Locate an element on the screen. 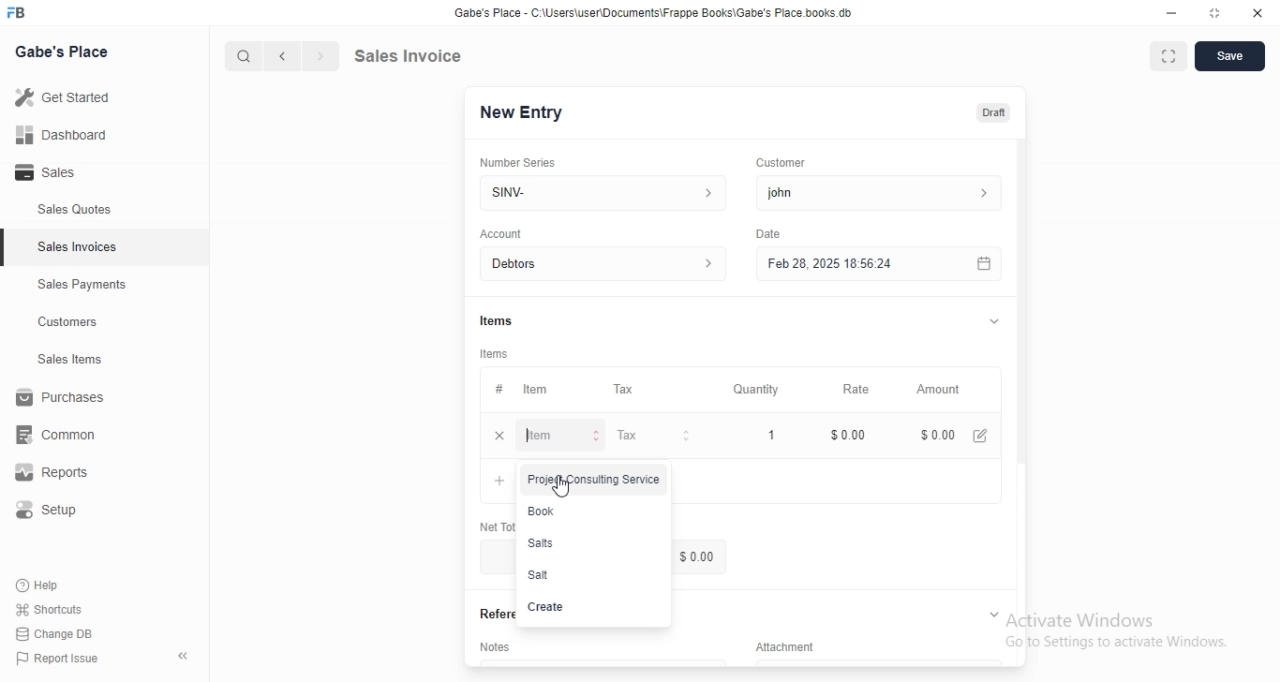 The height and width of the screenshot is (682, 1280). 1 is located at coordinates (773, 434).